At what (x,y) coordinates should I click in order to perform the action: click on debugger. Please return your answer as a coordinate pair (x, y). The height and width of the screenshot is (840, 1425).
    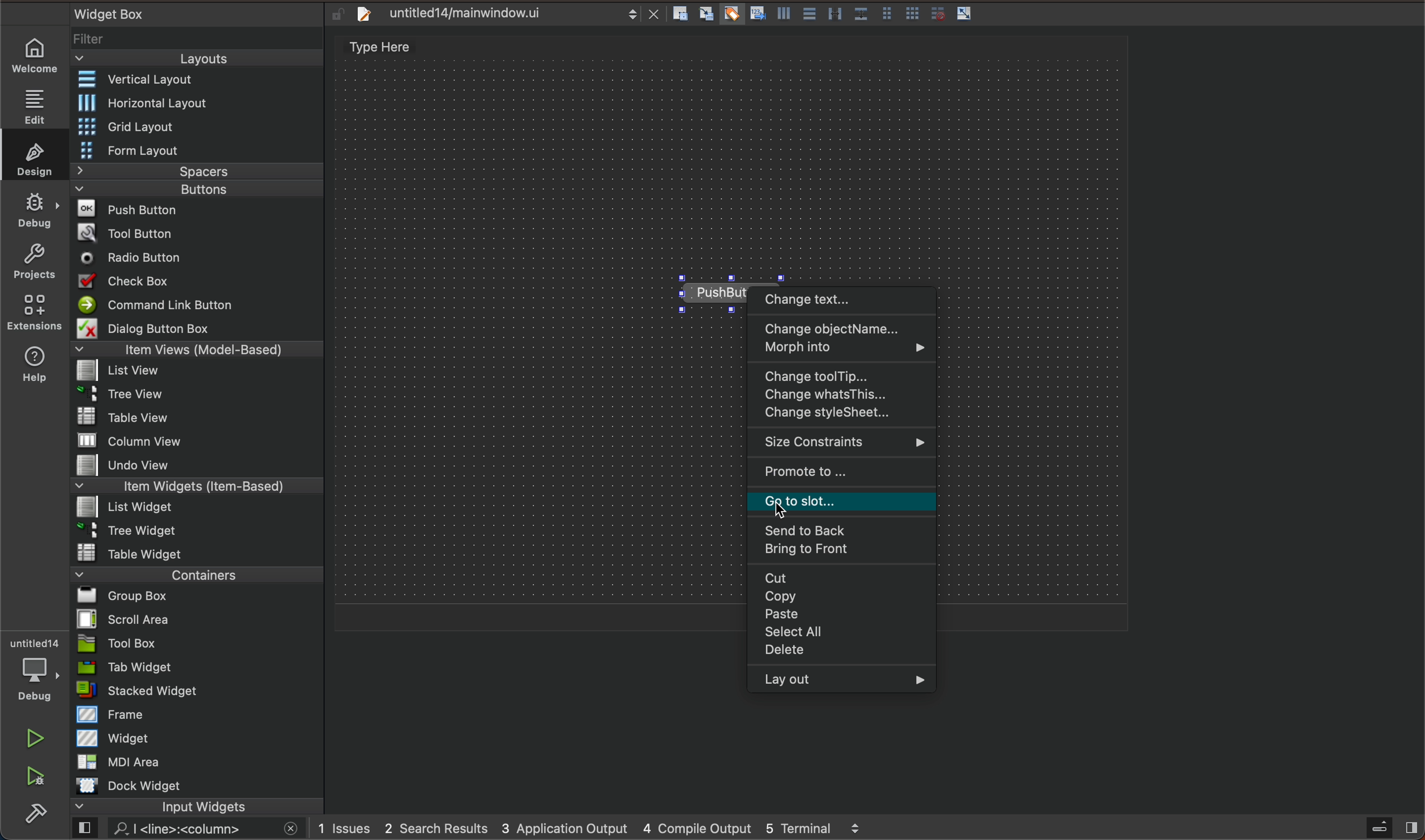
    Looking at the image, I should click on (37, 673).